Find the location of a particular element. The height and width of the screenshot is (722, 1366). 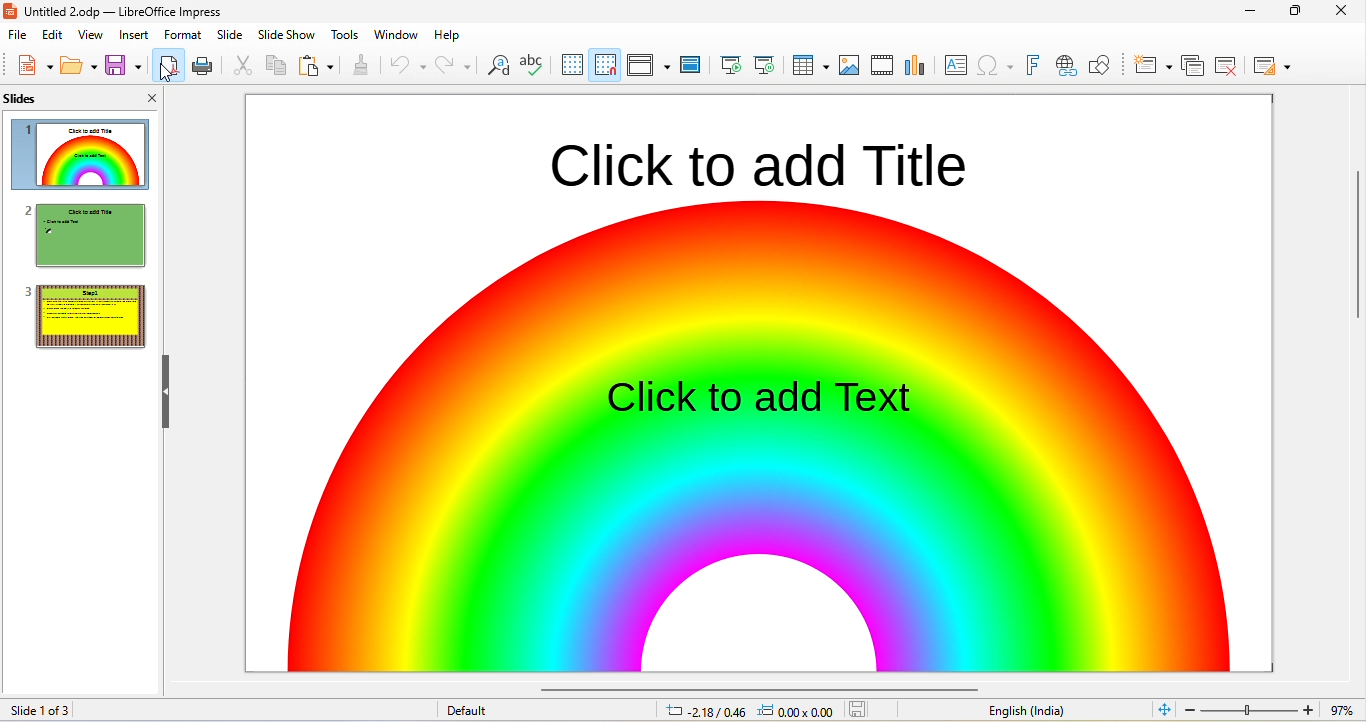

close is located at coordinates (147, 99).